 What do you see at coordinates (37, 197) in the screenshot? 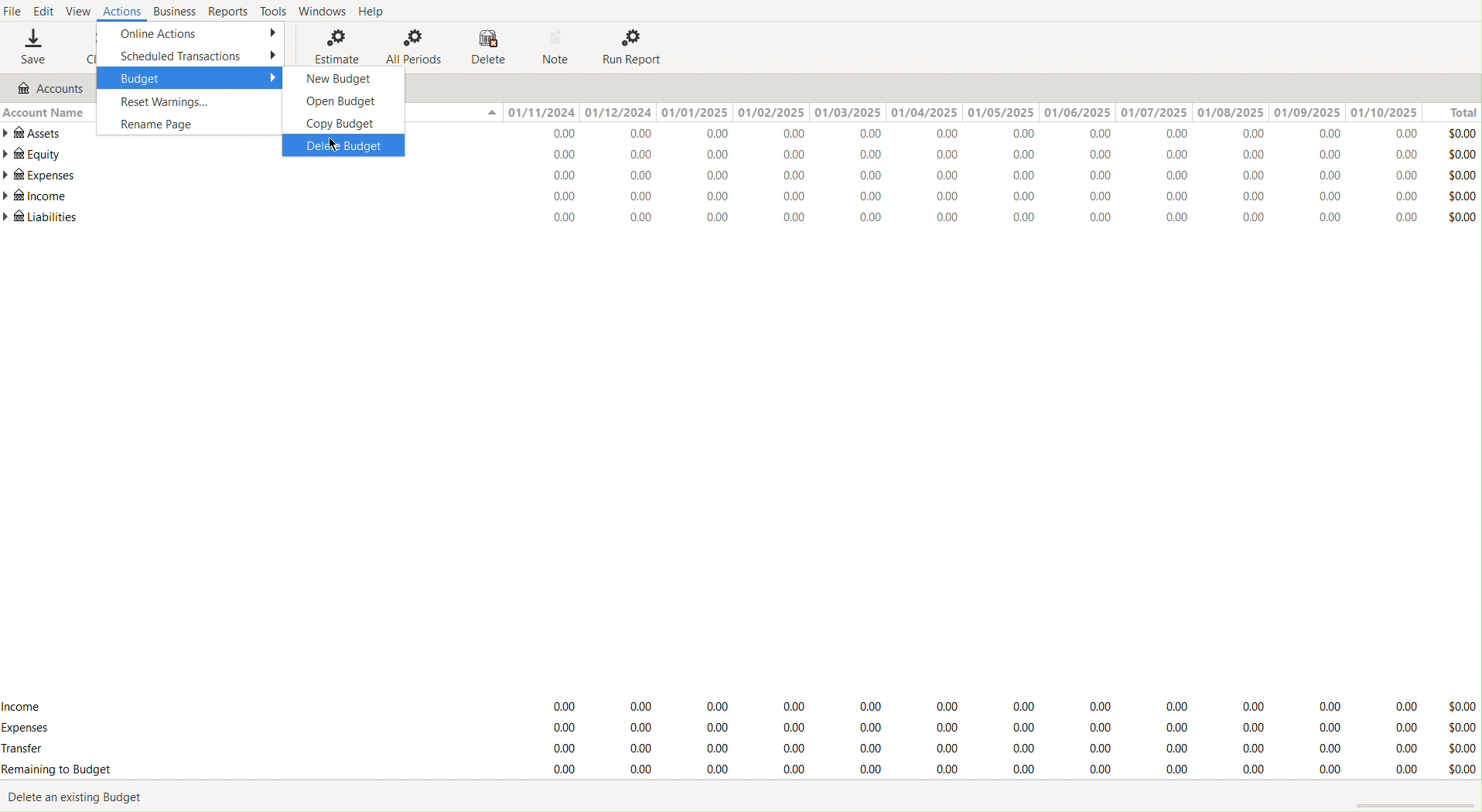
I see `Income` at bounding box center [37, 197].